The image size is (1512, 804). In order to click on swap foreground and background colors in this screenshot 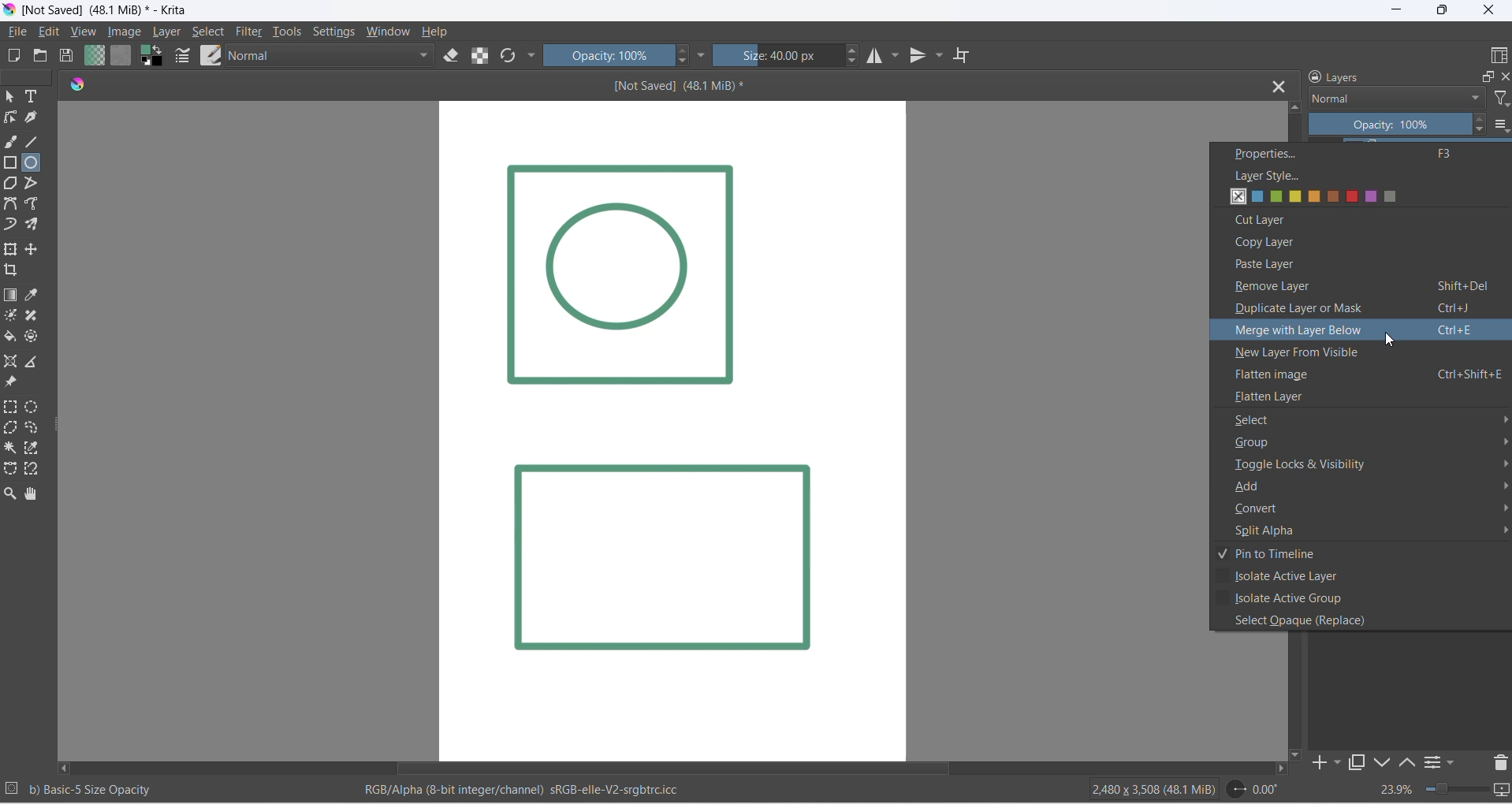, I will do `click(153, 56)`.